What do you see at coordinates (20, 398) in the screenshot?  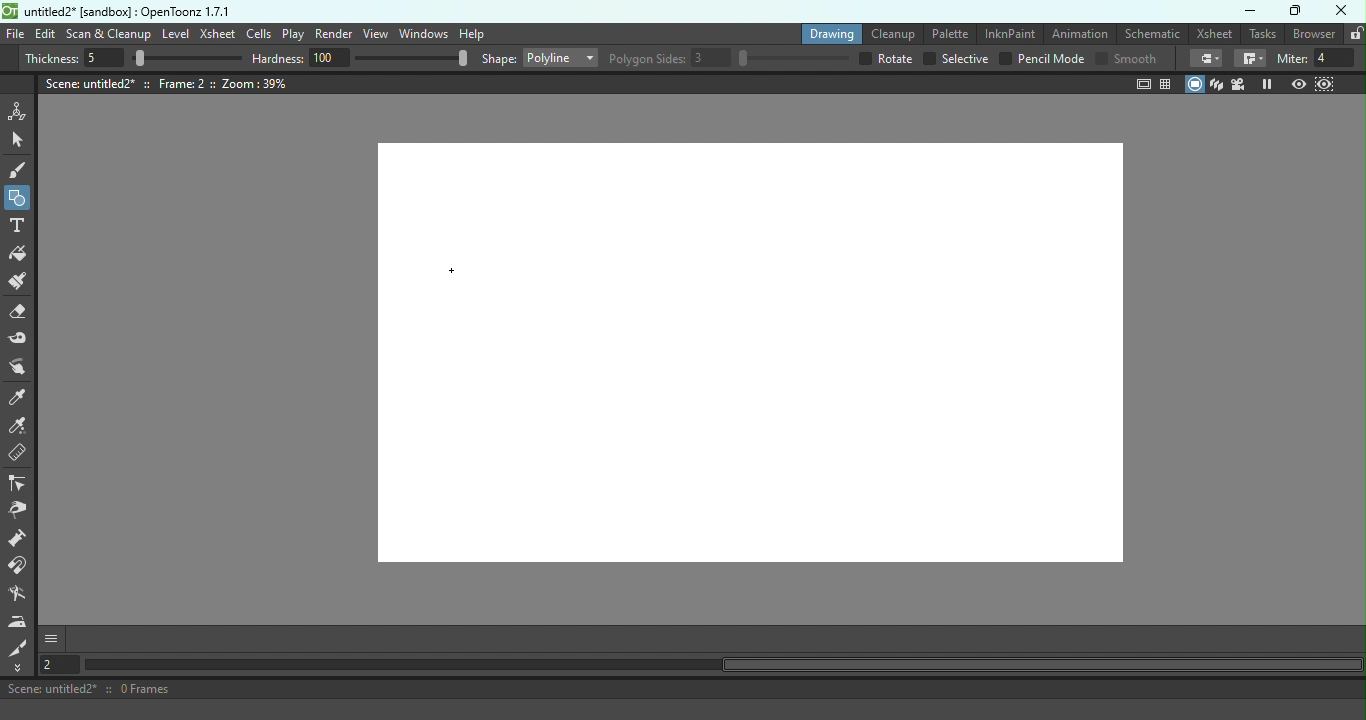 I see `Style picker tool` at bounding box center [20, 398].